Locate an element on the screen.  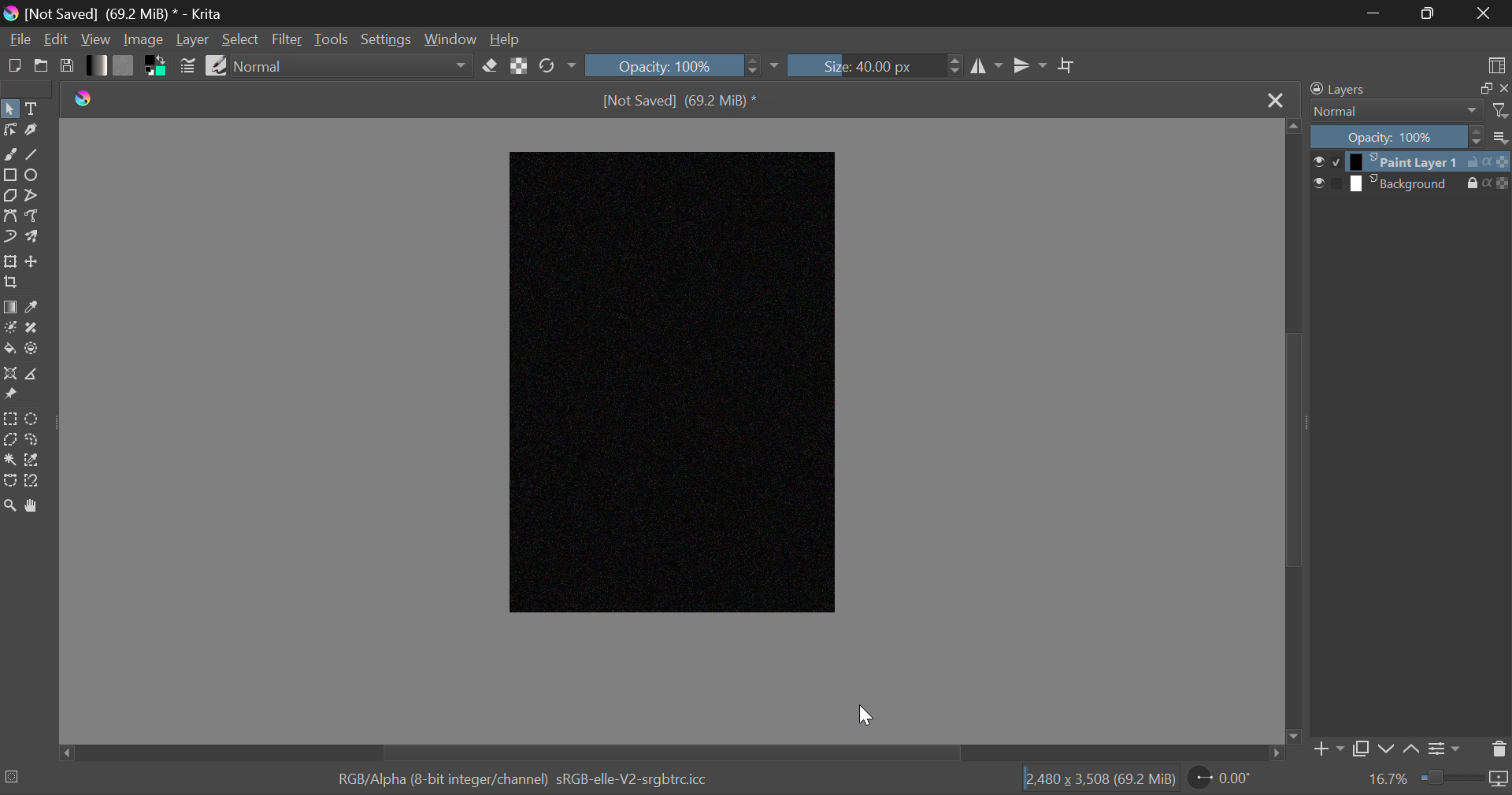
Close is located at coordinates (1484, 13).